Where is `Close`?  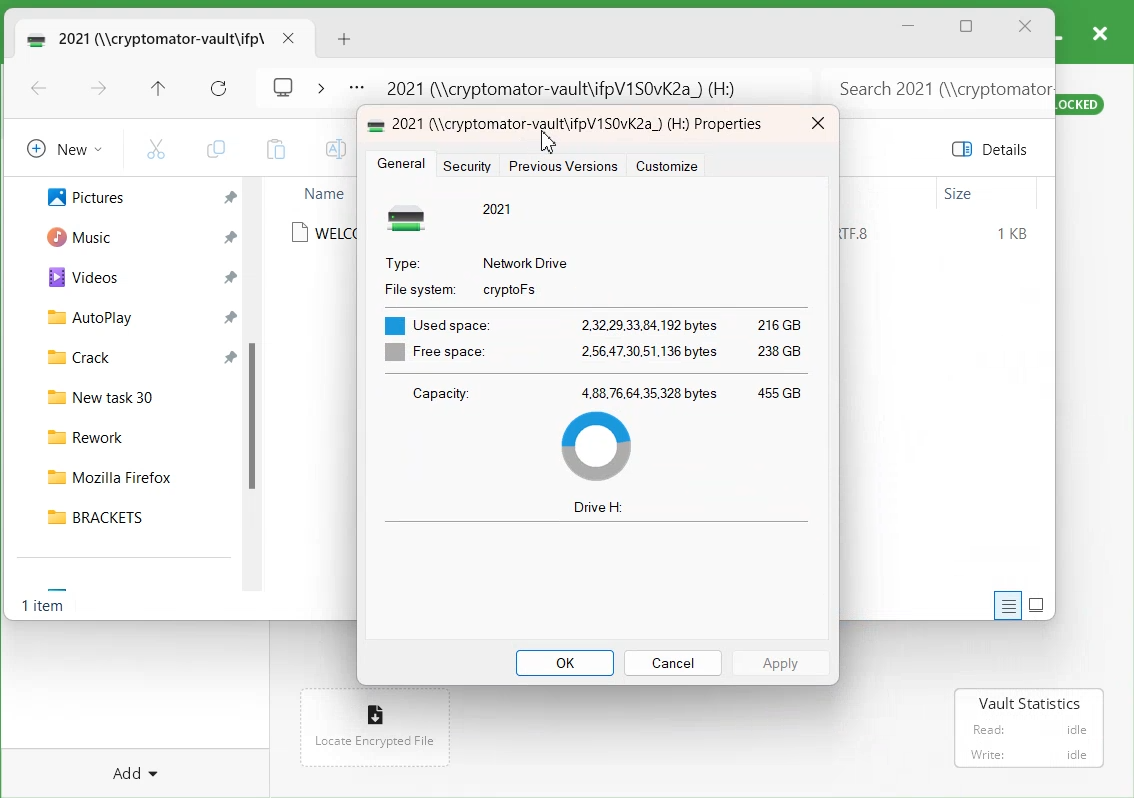
Close is located at coordinates (817, 124).